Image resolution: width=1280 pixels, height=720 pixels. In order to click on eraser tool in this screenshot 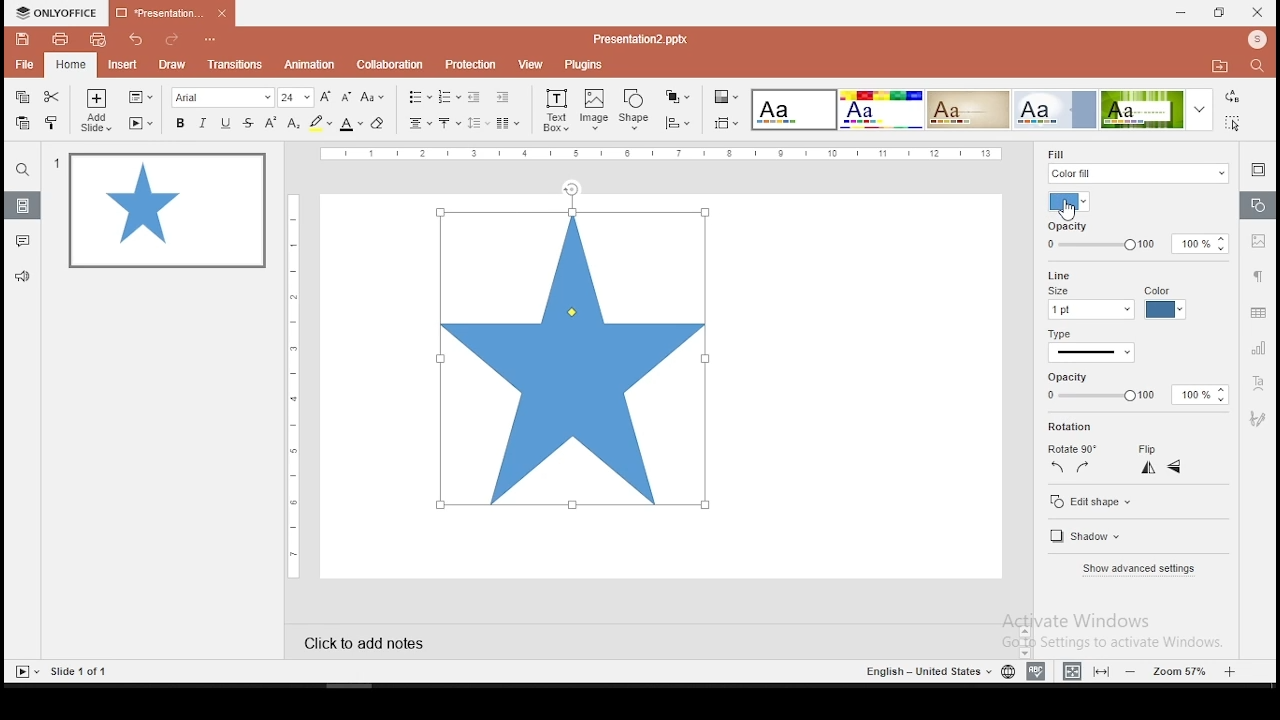, I will do `click(377, 124)`.